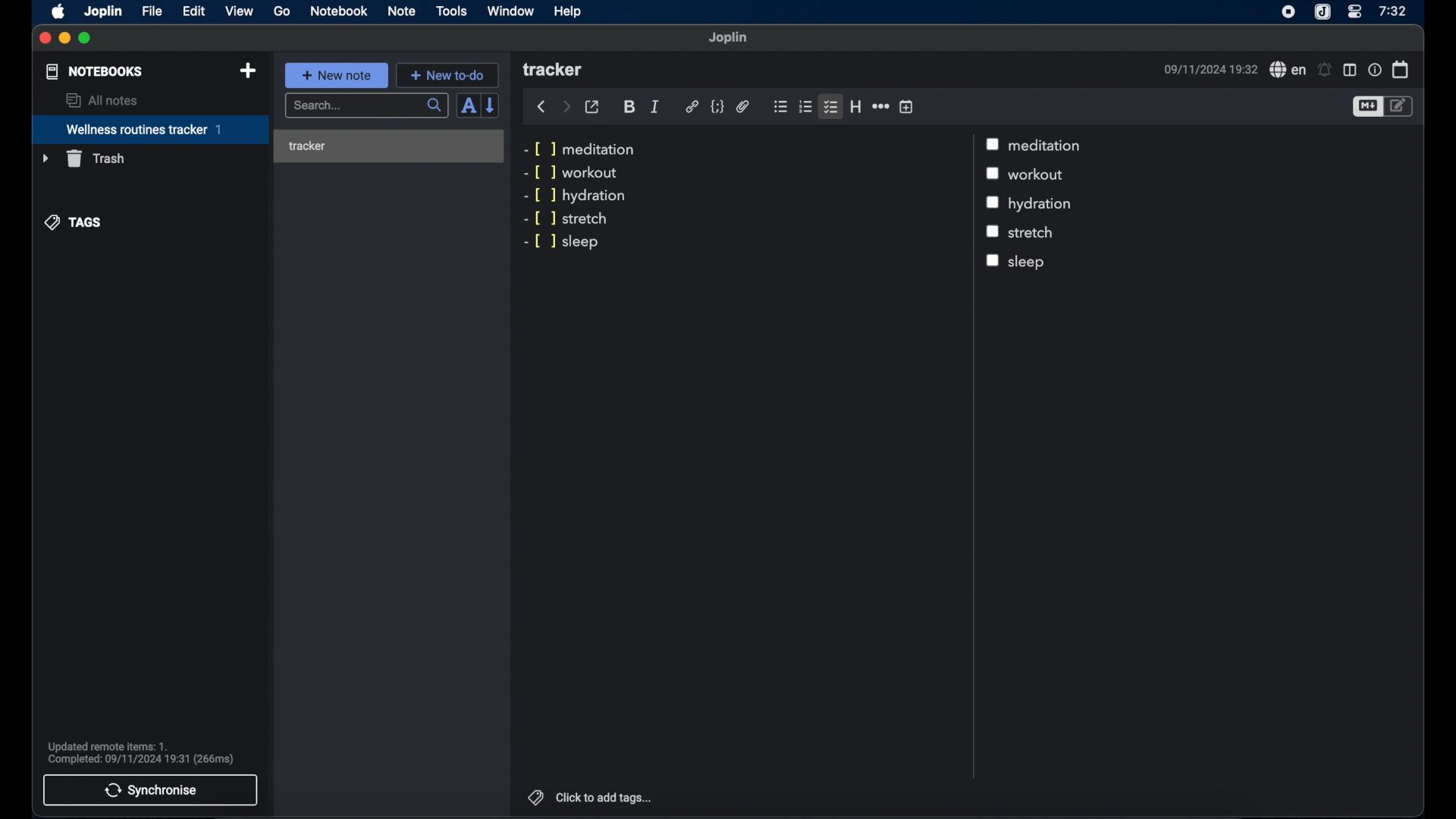  What do you see at coordinates (1208, 69) in the screenshot?
I see `09/11/2024 19:32` at bounding box center [1208, 69].